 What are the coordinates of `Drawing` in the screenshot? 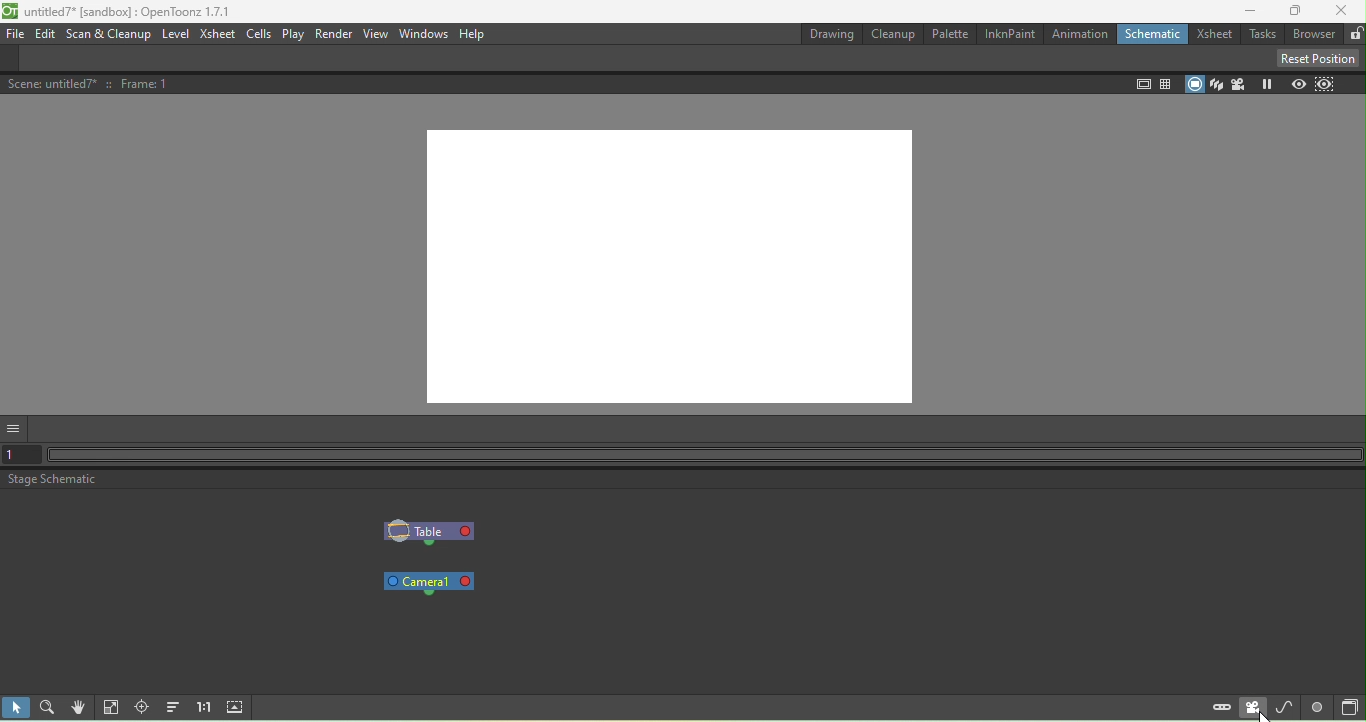 It's located at (829, 36).